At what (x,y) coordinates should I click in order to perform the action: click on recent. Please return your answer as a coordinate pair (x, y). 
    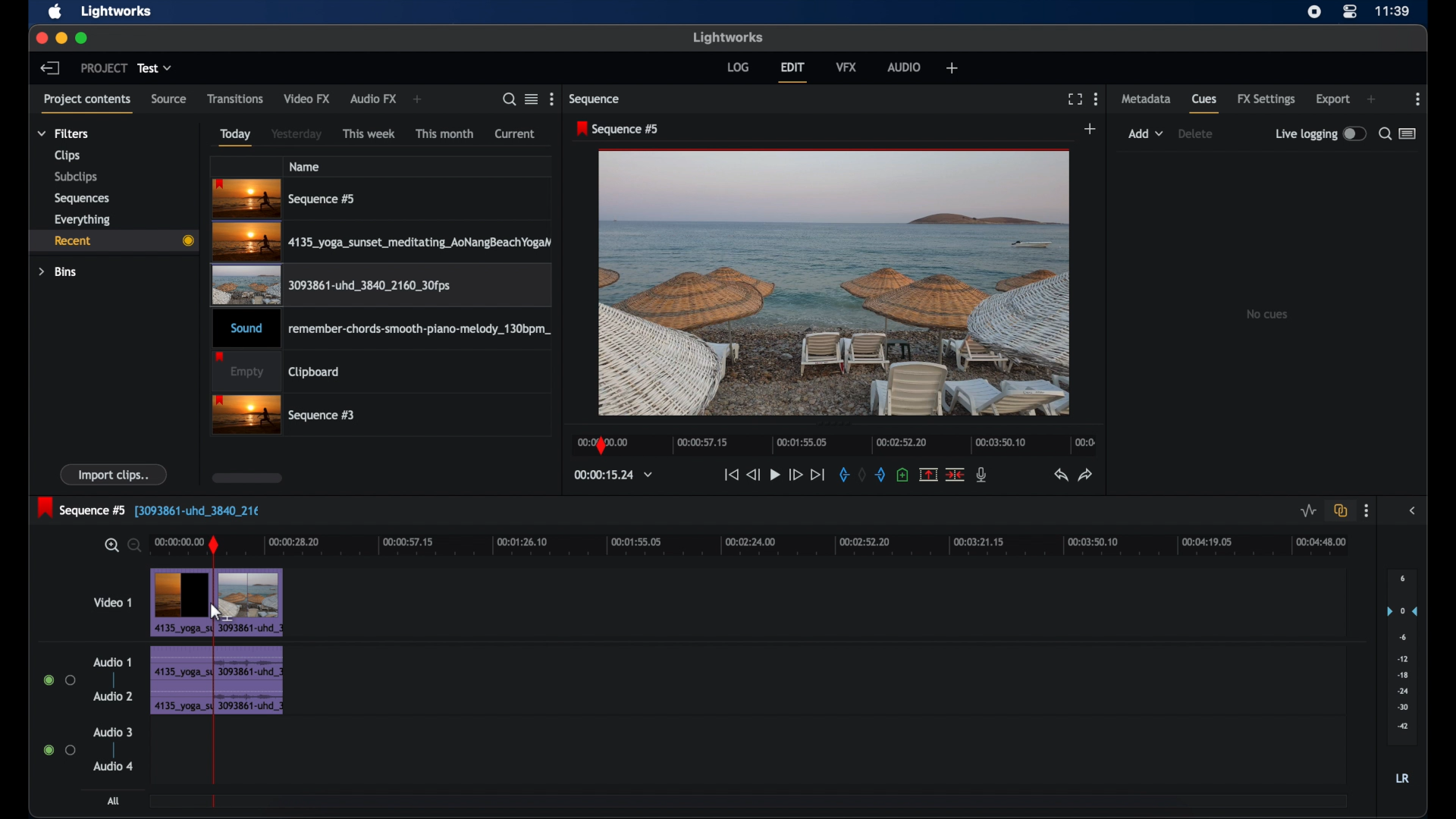
    Looking at the image, I should click on (113, 241).